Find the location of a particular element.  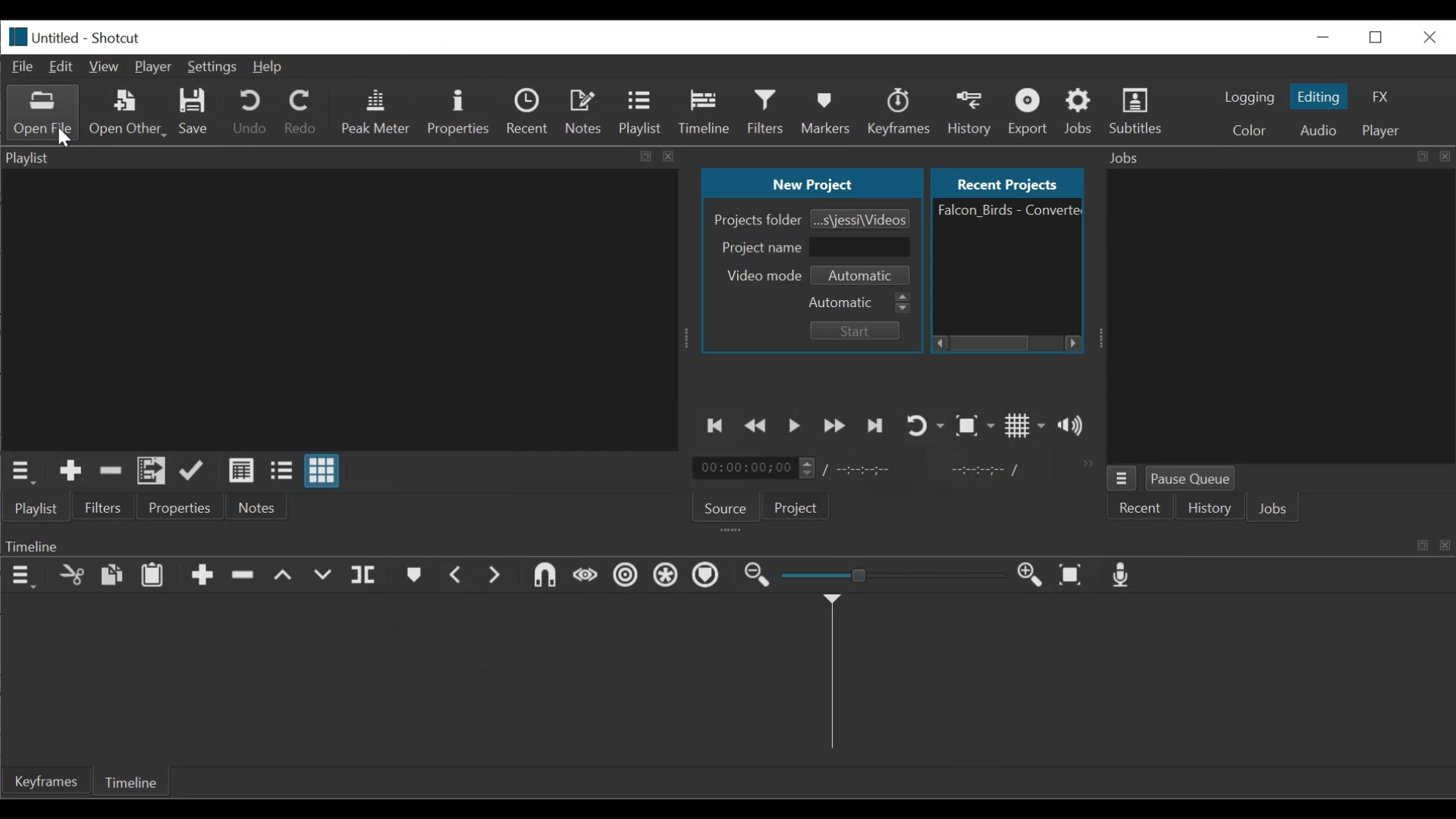

Ripple all tracks is located at coordinates (667, 578).